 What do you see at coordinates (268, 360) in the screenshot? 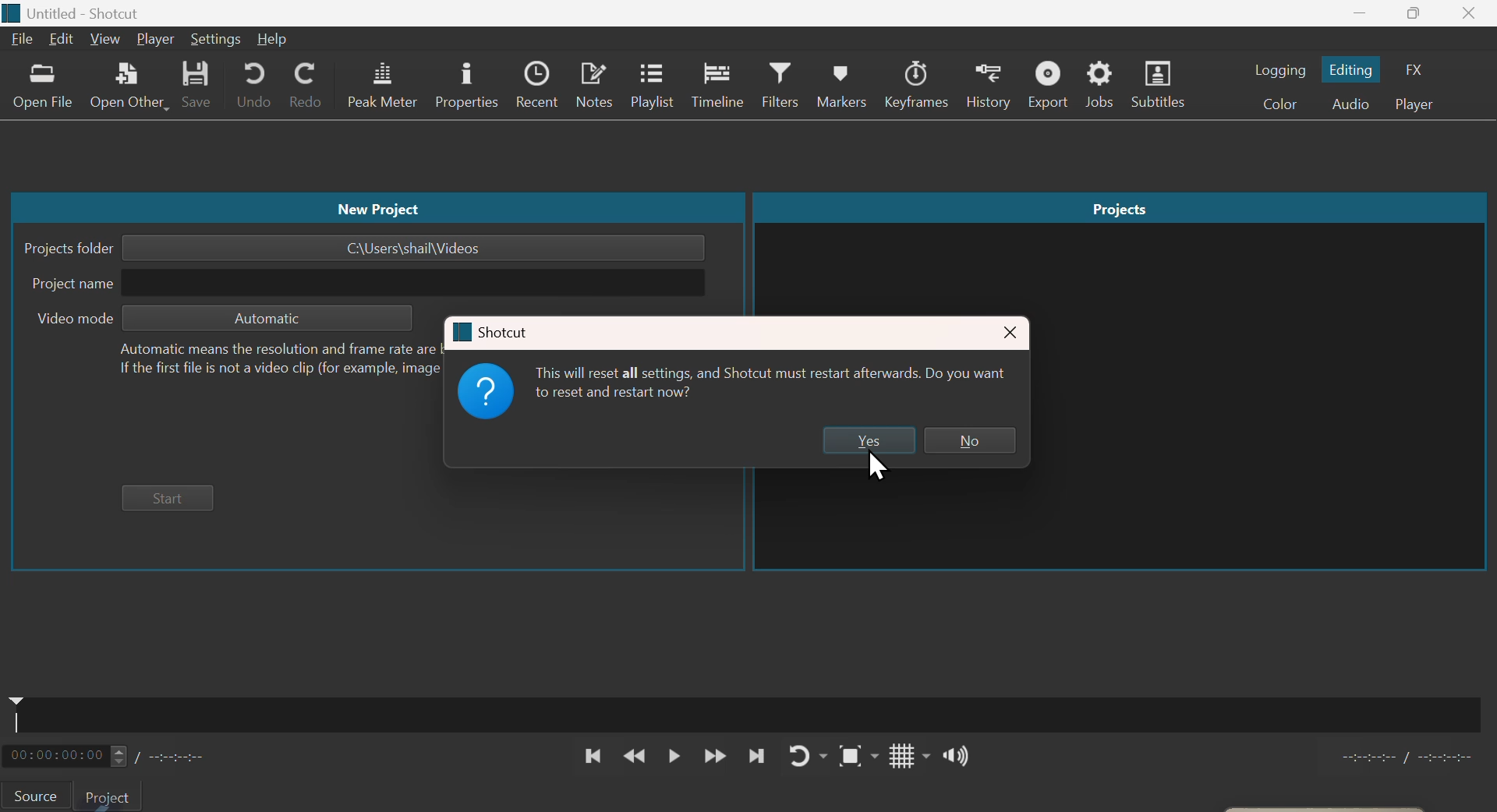
I see `Automatic means the resolution and frame rate are based on the first file you add to your project.If the first file is not a video clip (for example, image or audio), then it will be 1920x1080p 25 fps.` at bounding box center [268, 360].